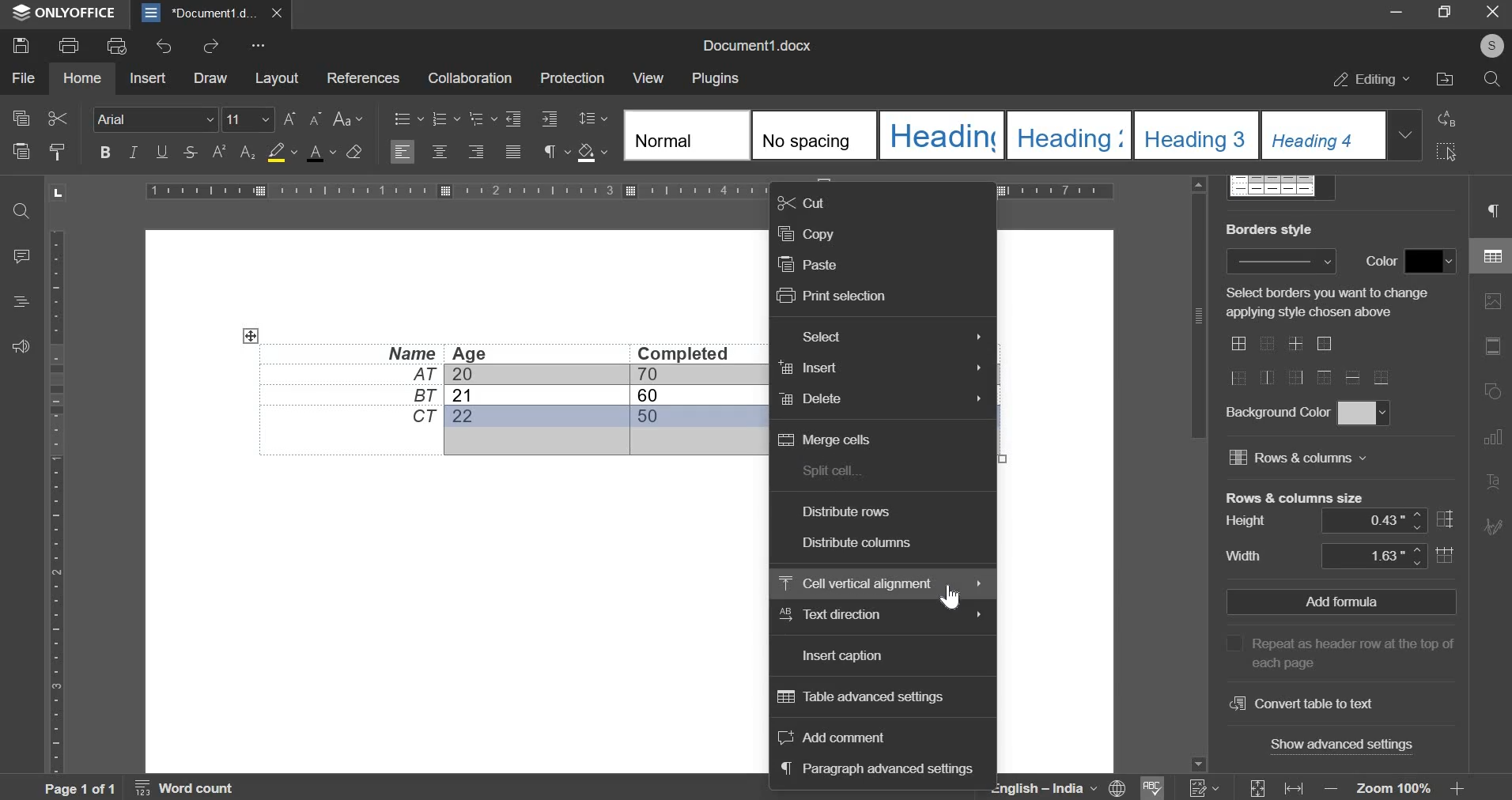 The image size is (1512, 800). What do you see at coordinates (188, 152) in the screenshot?
I see `stroke through` at bounding box center [188, 152].